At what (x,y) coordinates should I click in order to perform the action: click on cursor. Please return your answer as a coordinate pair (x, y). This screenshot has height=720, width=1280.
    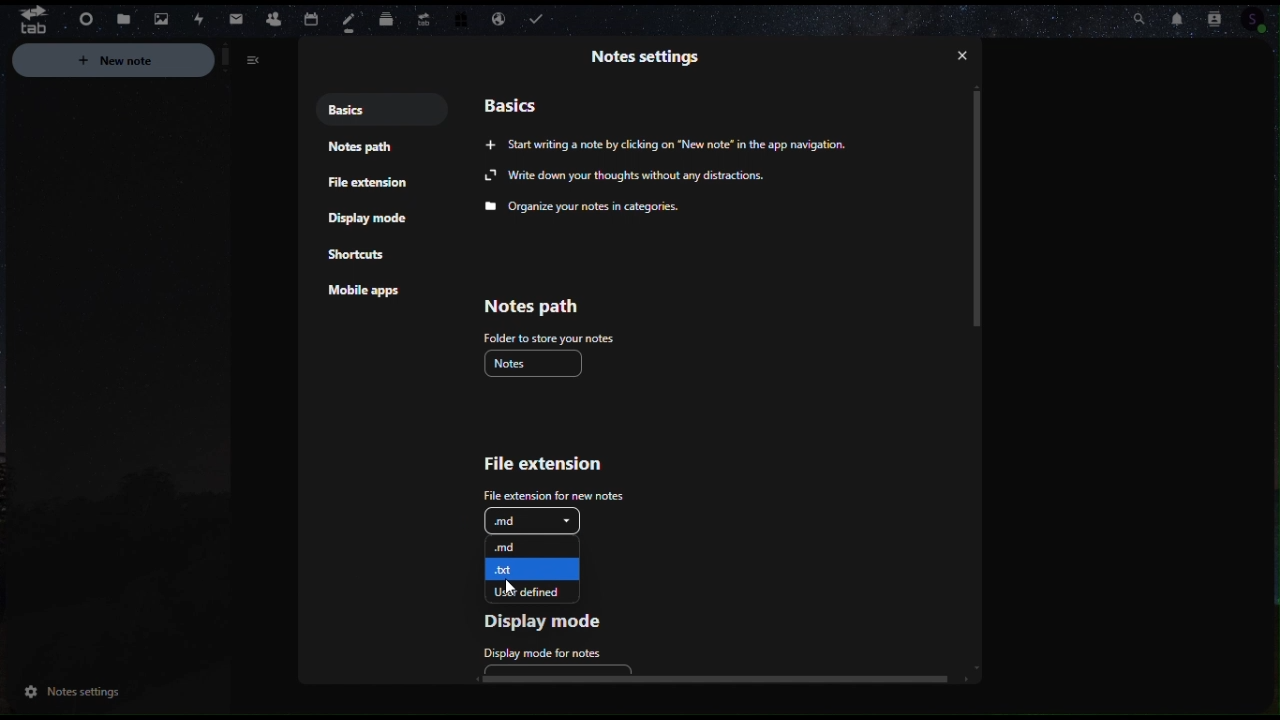
    Looking at the image, I should click on (511, 592).